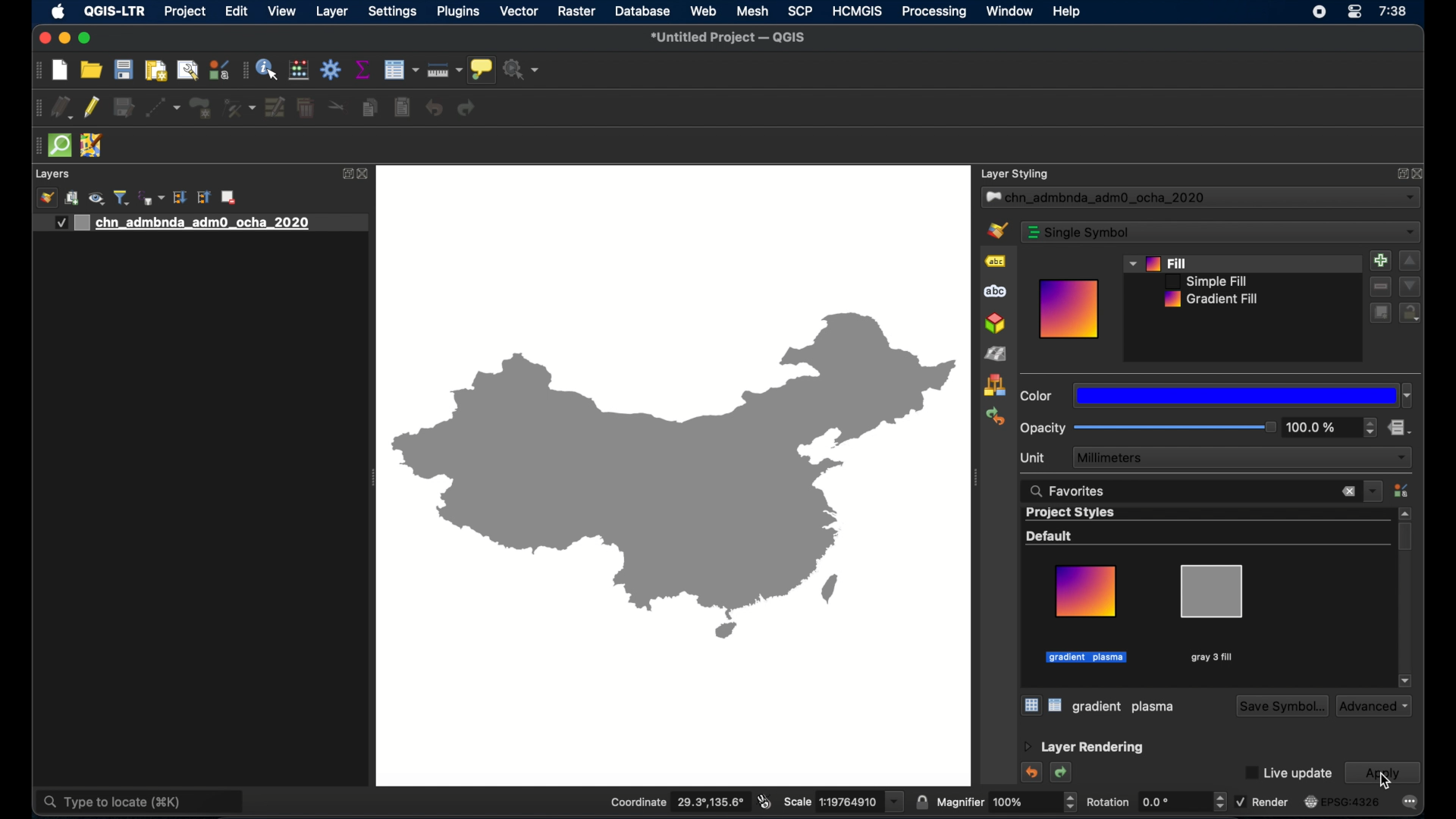  What do you see at coordinates (1382, 773) in the screenshot?
I see `apply` at bounding box center [1382, 773].